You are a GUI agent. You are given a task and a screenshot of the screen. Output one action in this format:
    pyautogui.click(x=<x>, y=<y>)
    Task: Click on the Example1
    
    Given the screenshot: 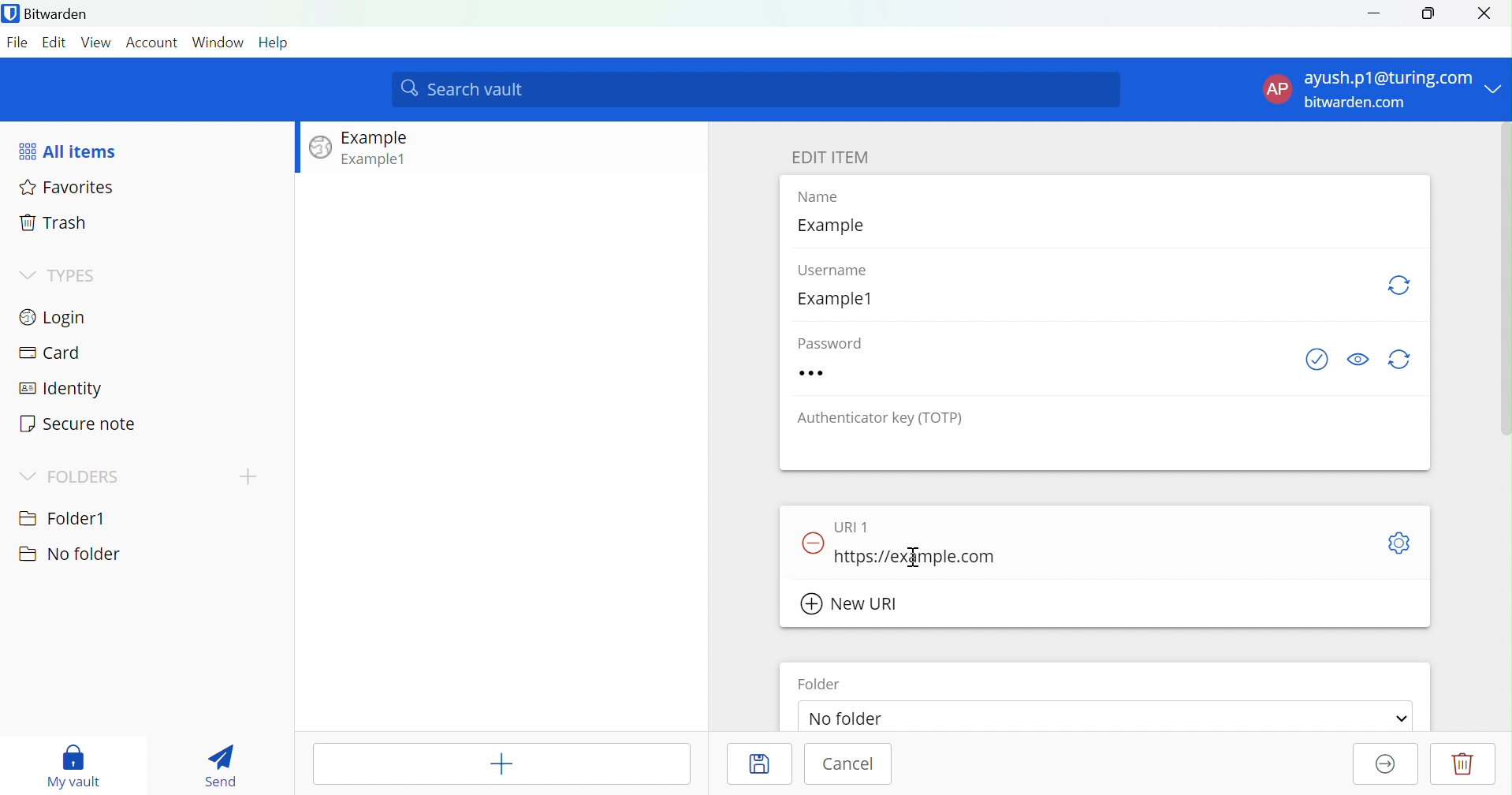 What is the action you would take?
    pyautogui.click(x=376, y=159)
    